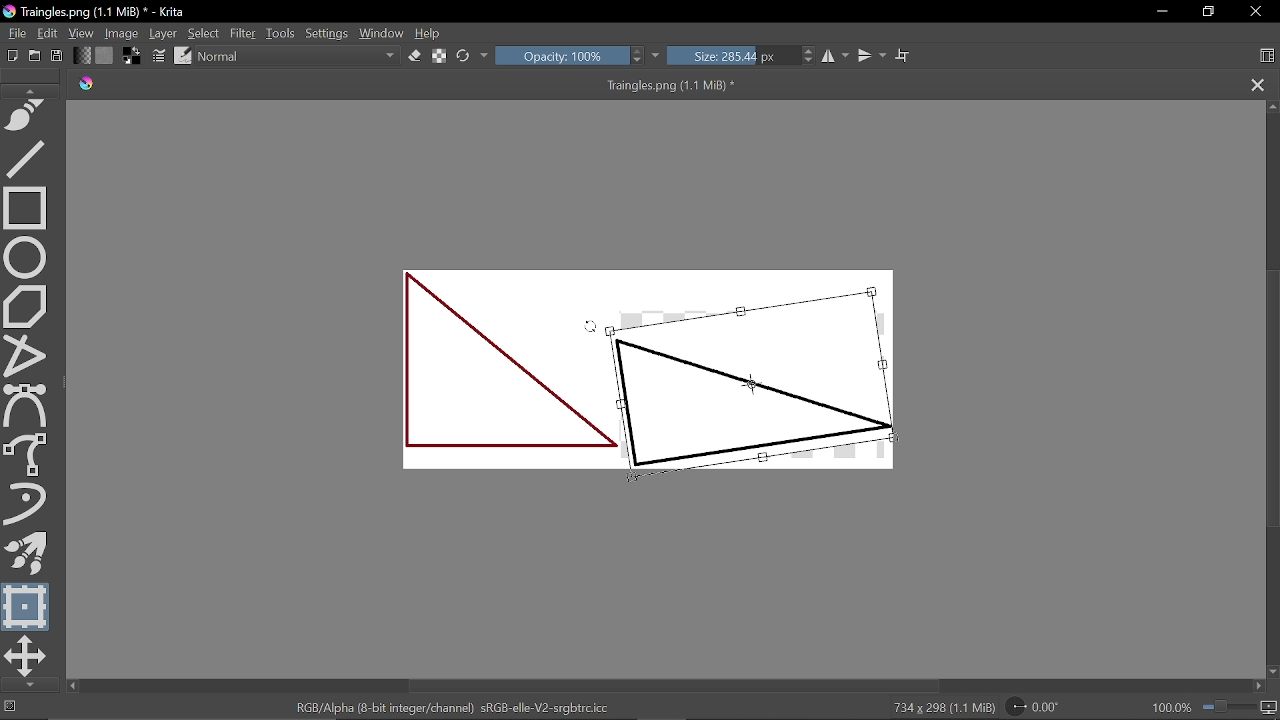 The height and width of the screenshot is (720, 1280). What do you see at coordinates (26, 207) in the screenshot?
I see `Rectangle tool` at bounding box center [26, 207].